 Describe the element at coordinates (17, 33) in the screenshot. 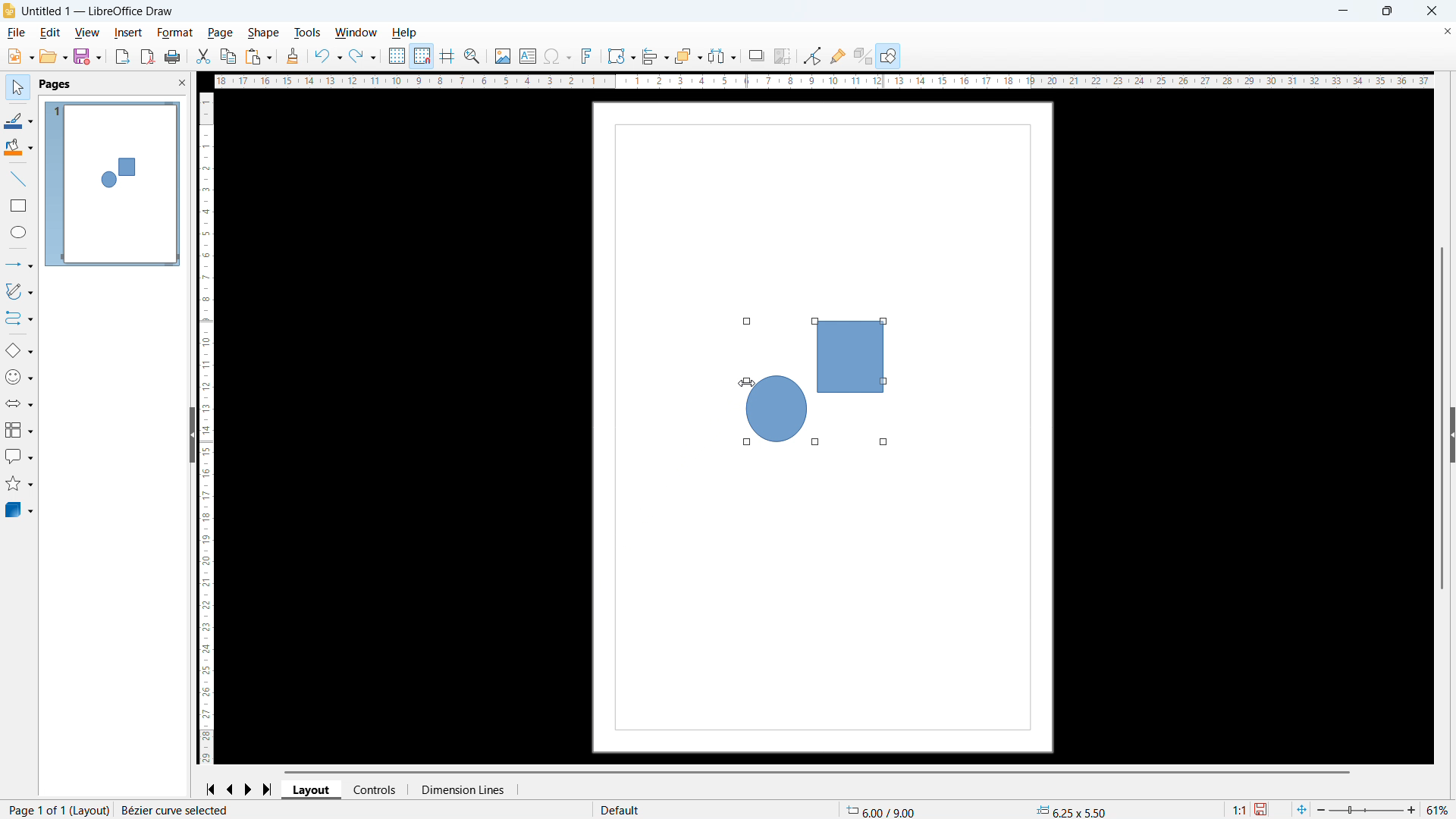

I see `file ` at that location.